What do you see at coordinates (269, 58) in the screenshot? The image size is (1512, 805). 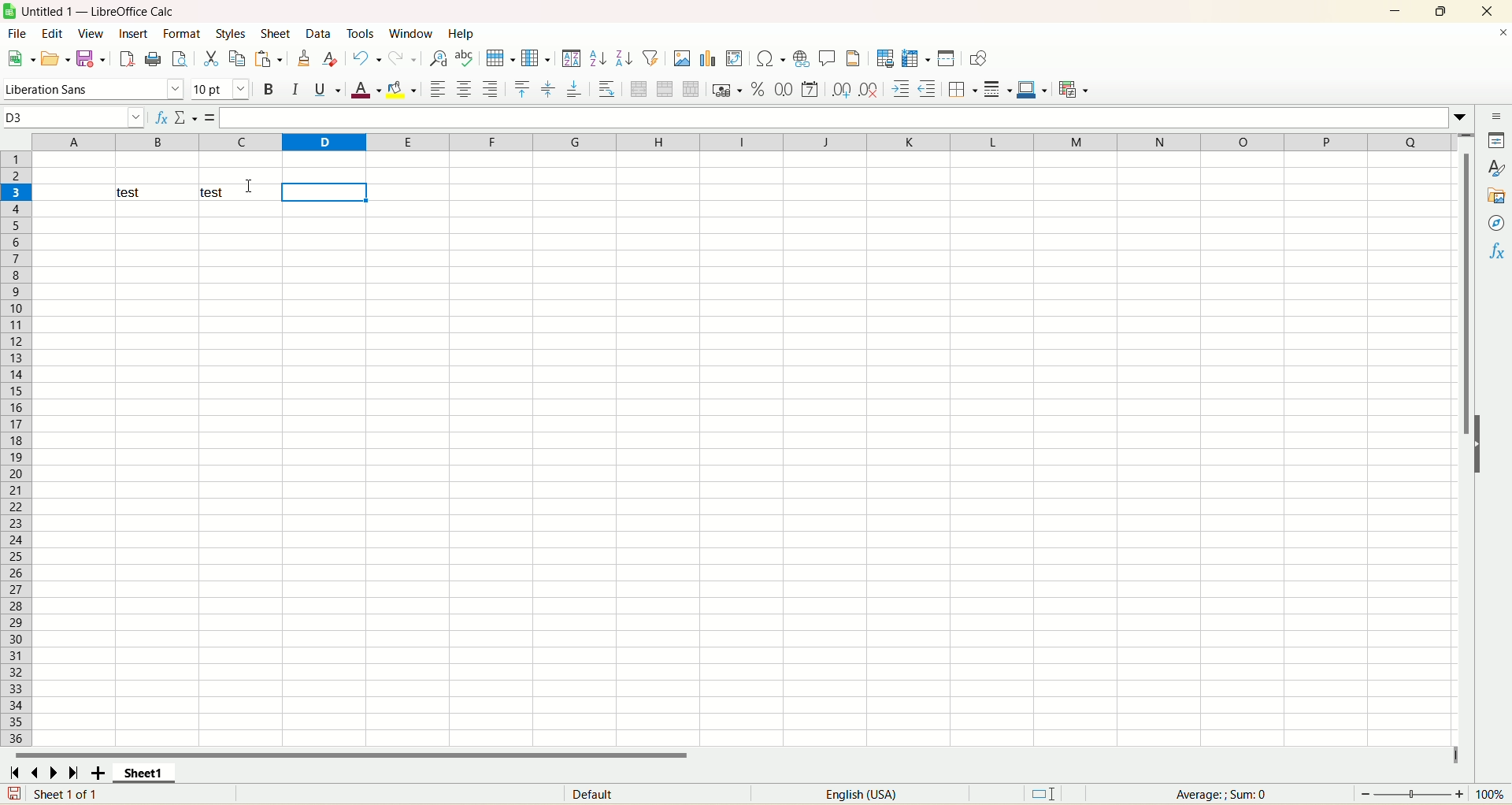 I see `paste` at bounding box center [269, 58].